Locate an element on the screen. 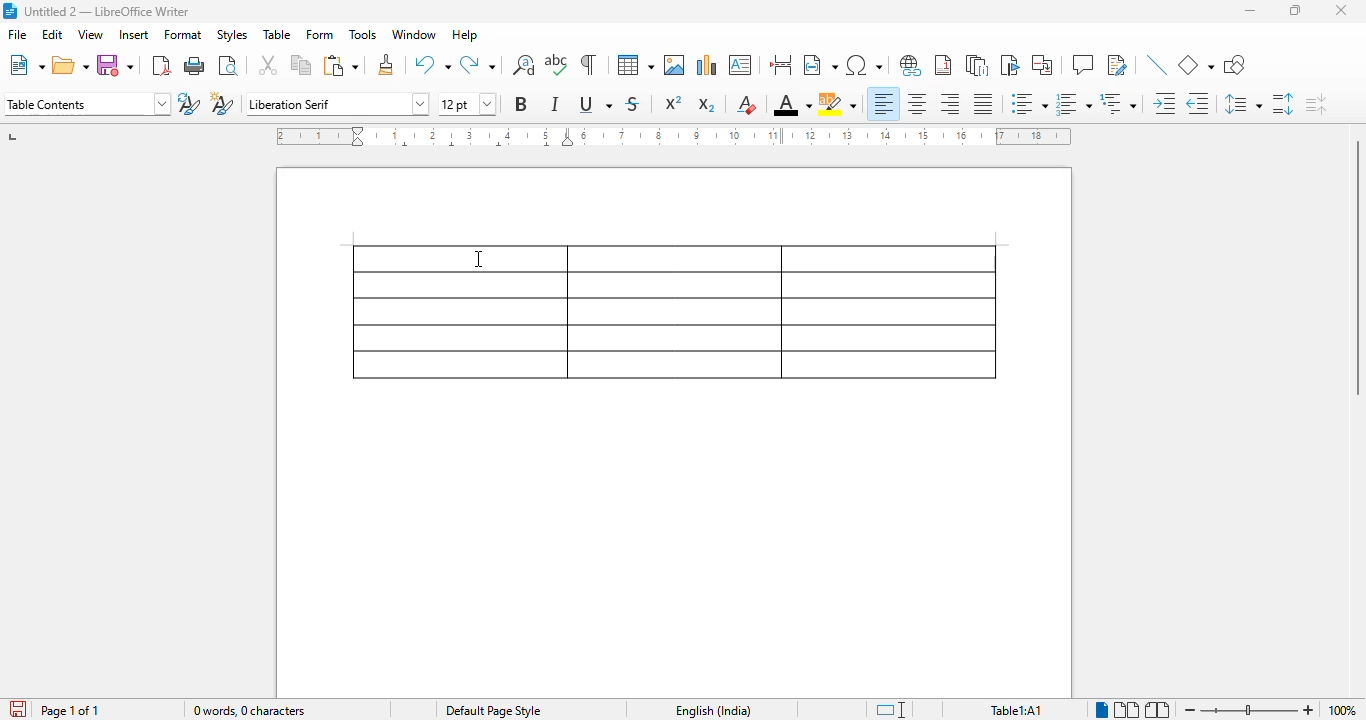 The height and width of the screenshot is (720, 1366). zoom in is located at coordinates (1307, 710).